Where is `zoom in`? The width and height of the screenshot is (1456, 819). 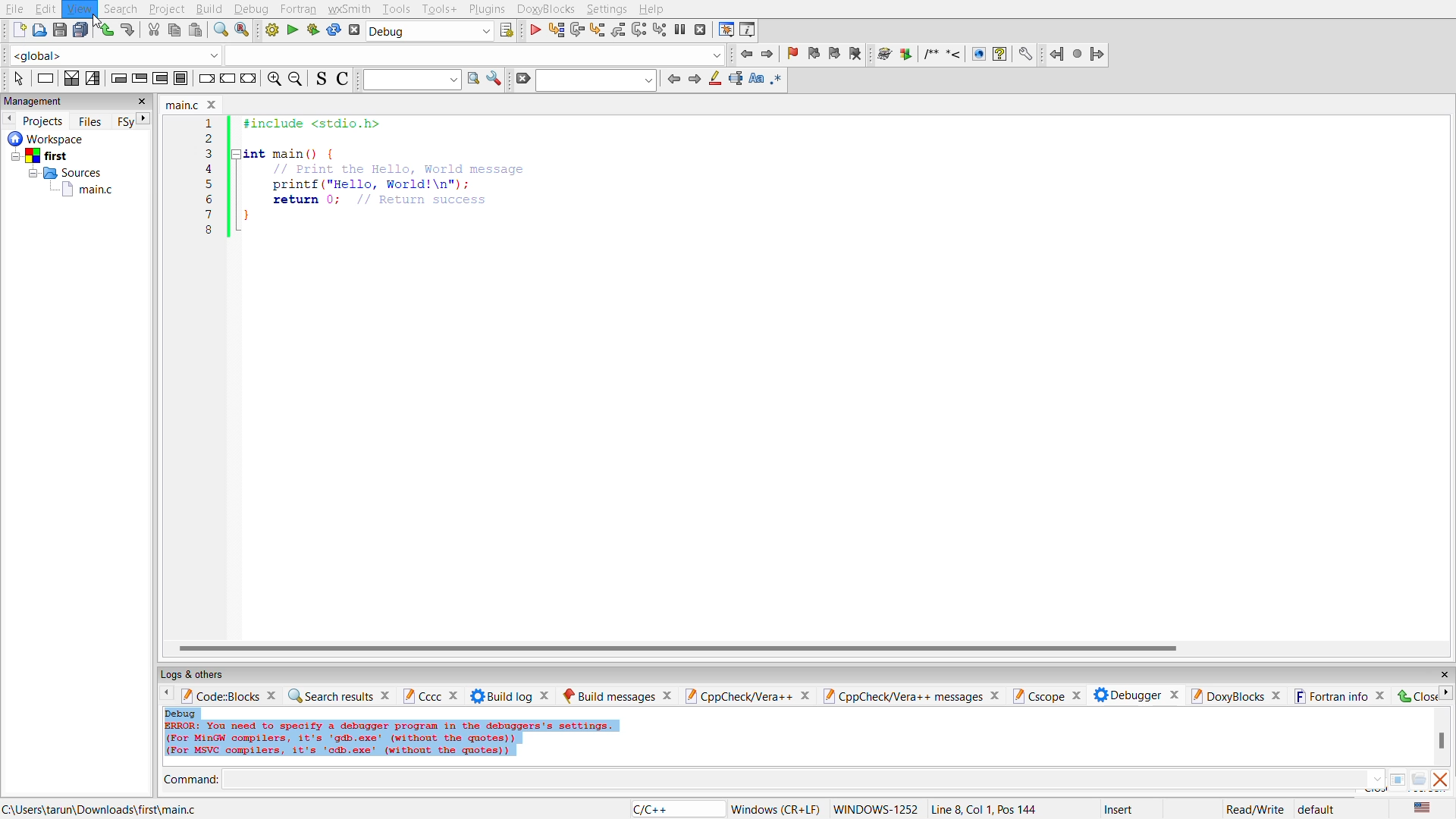 zoom in is located at coordinates (275, 78).